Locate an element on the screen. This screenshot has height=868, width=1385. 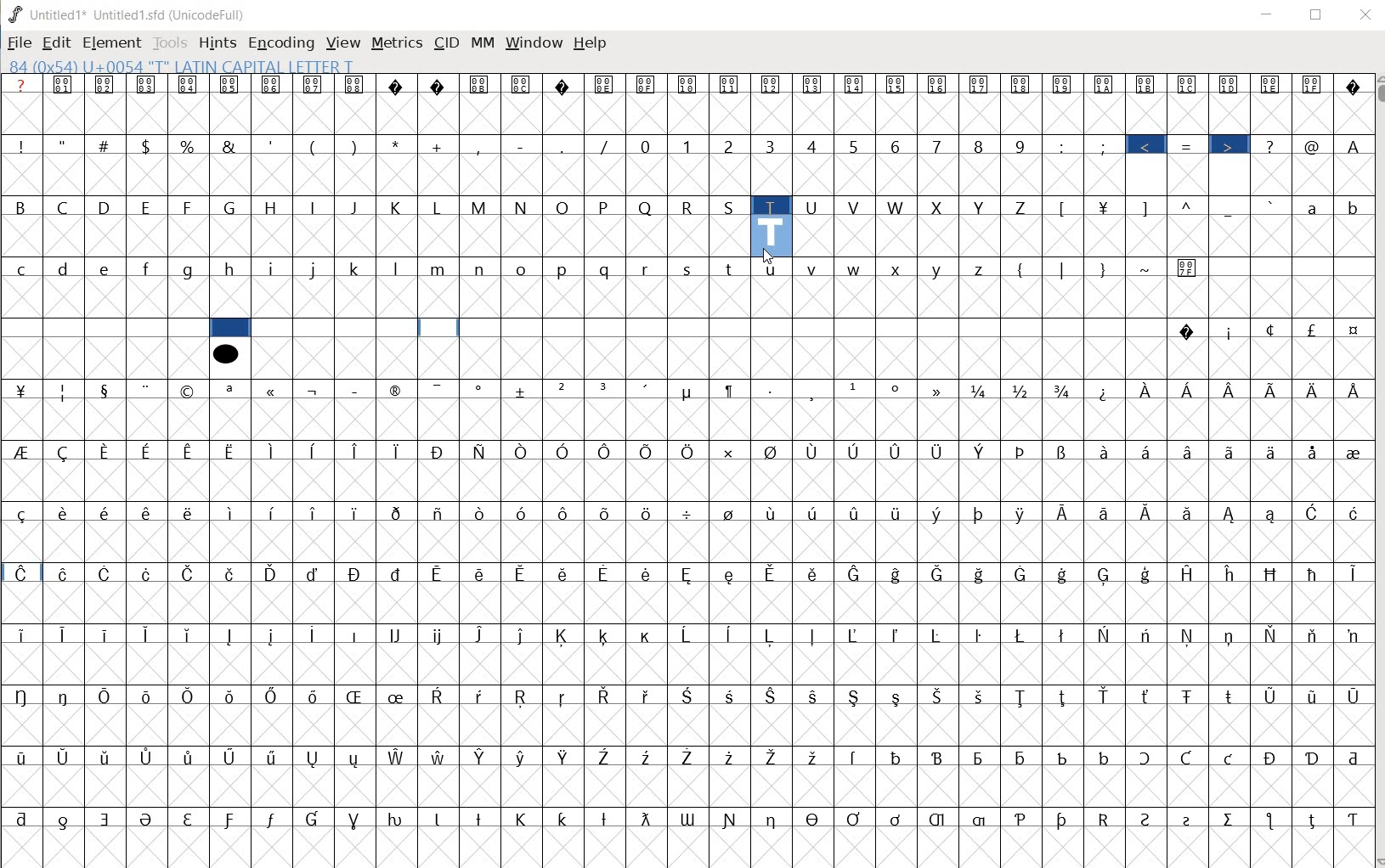
% is located at coordinates (189, 145).